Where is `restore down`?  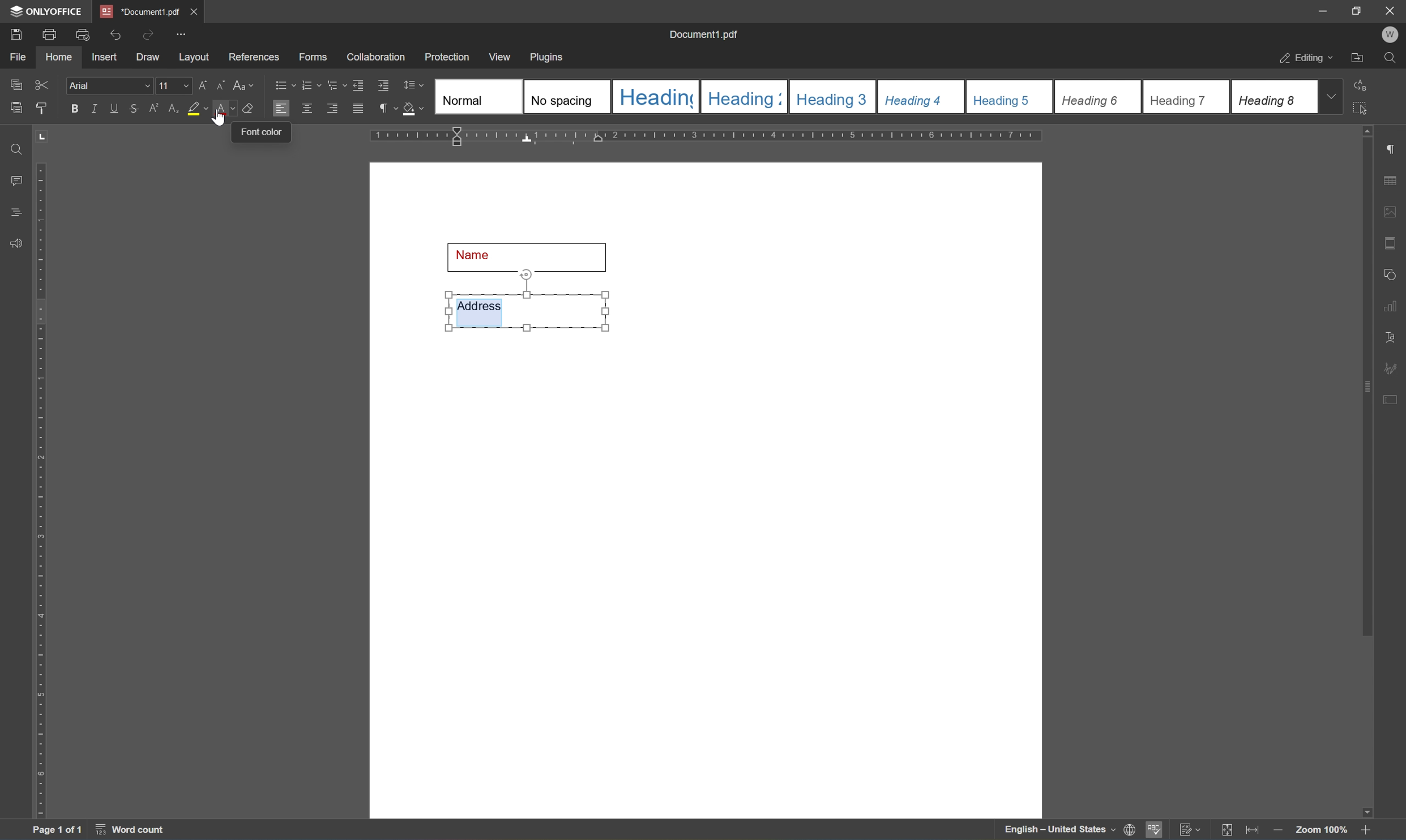 restore down is located at coordinates (1356, 11).